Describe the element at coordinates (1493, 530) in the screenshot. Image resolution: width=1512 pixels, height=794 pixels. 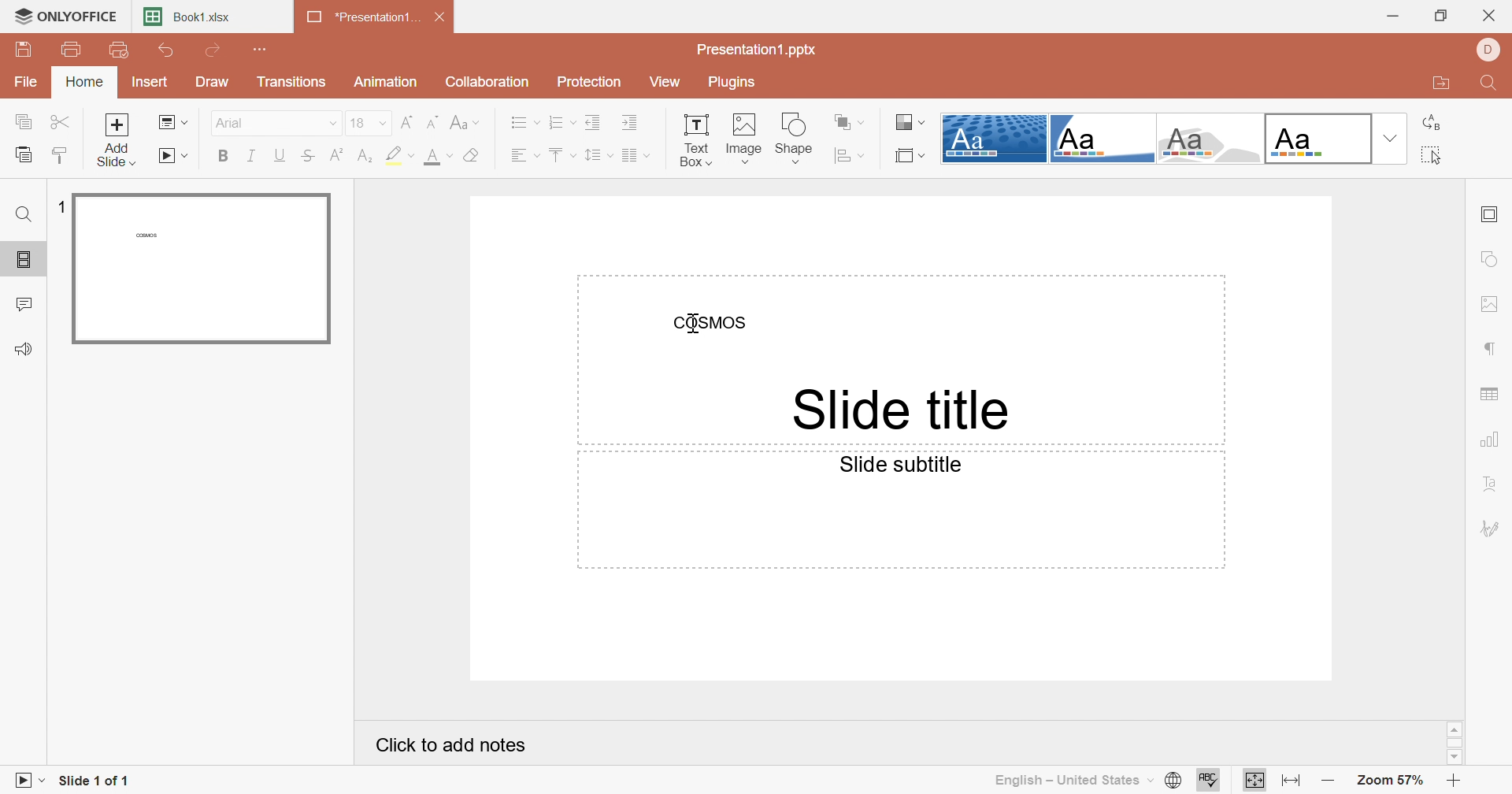
I see `Signature settings` at that location.